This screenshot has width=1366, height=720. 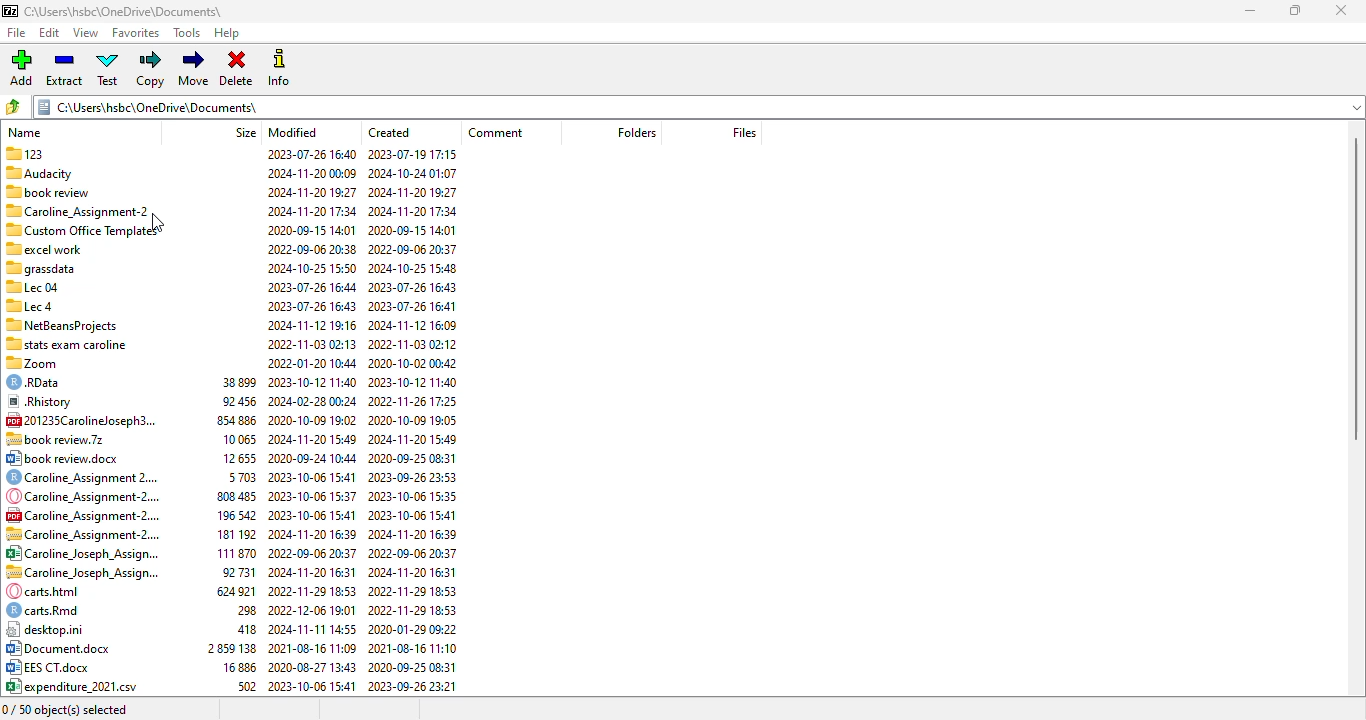 I want to click on test, so click(x=108, y=69).